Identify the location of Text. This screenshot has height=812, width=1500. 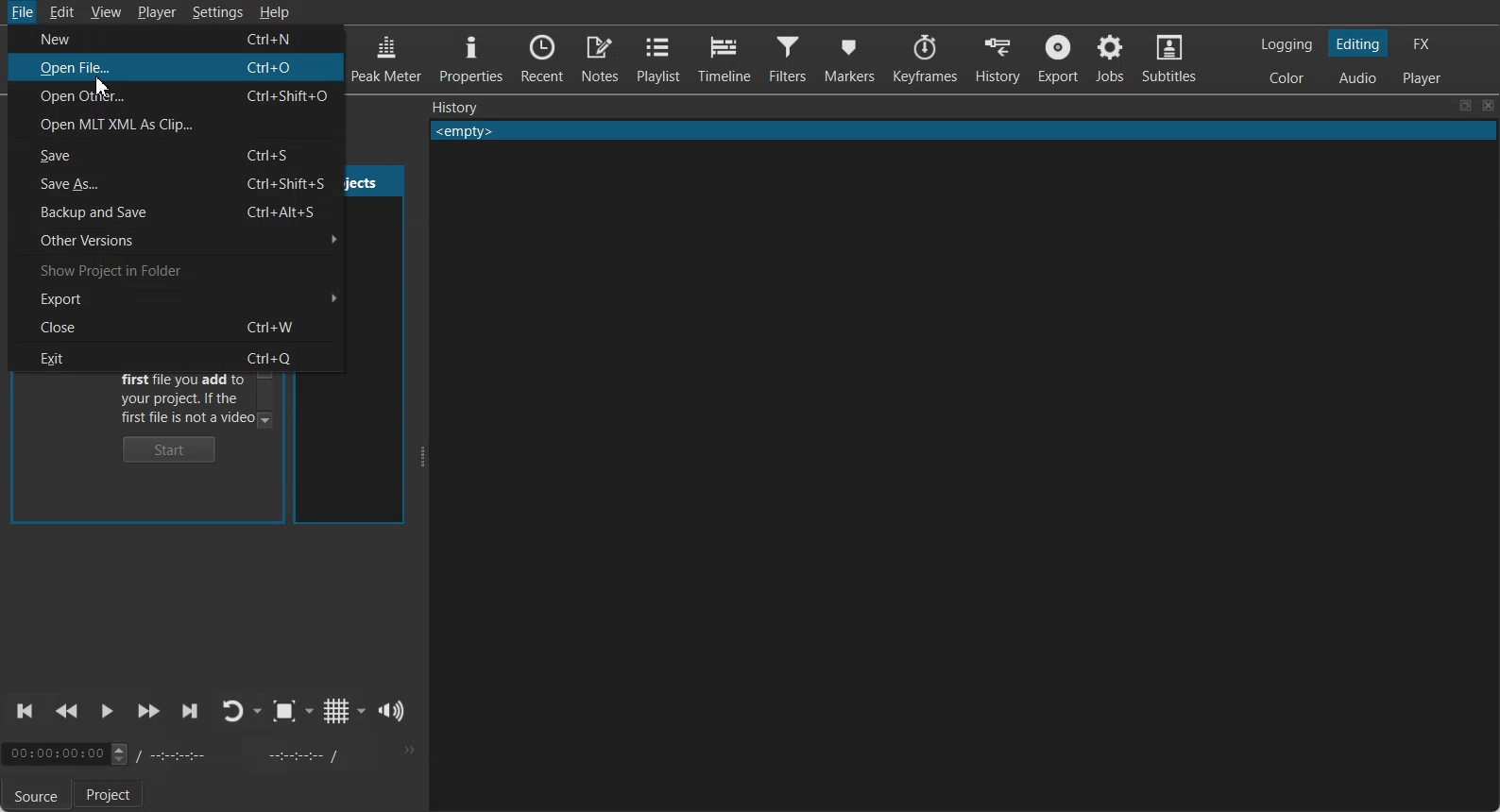
(963, 131).